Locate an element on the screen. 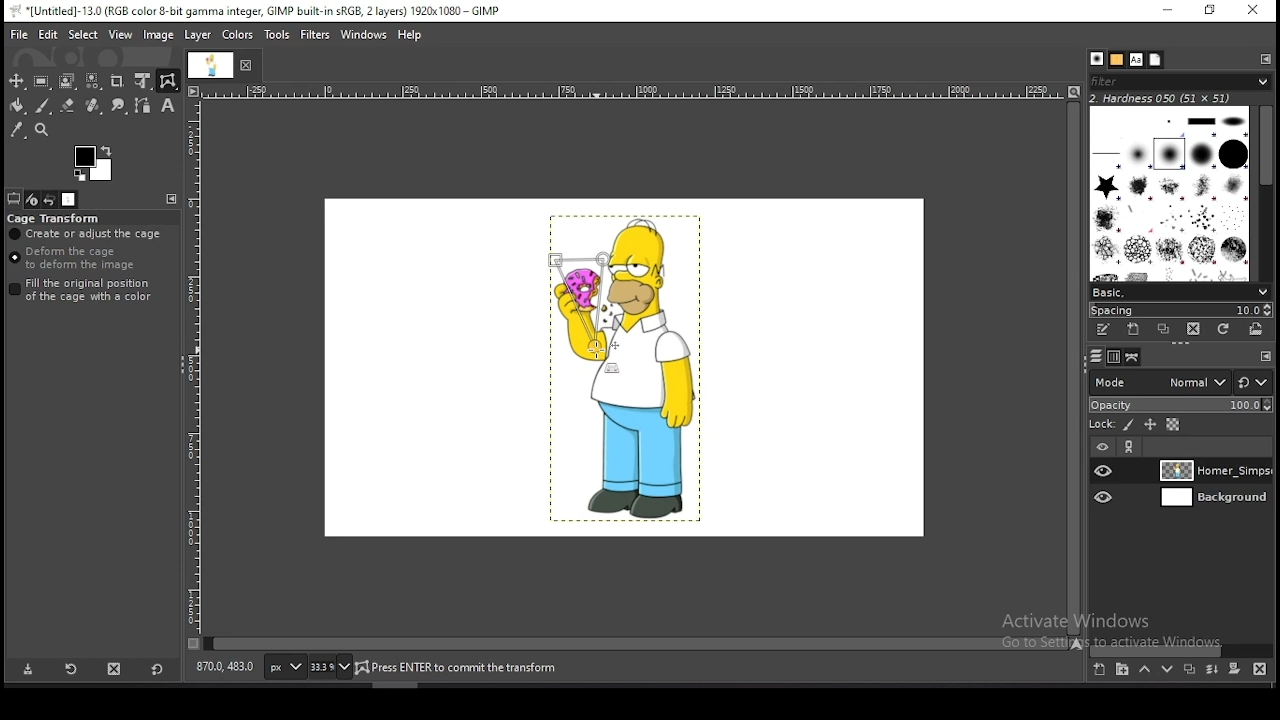 This screenshot has width=1280, height=720. document history is located at coordinates (1155, 60).